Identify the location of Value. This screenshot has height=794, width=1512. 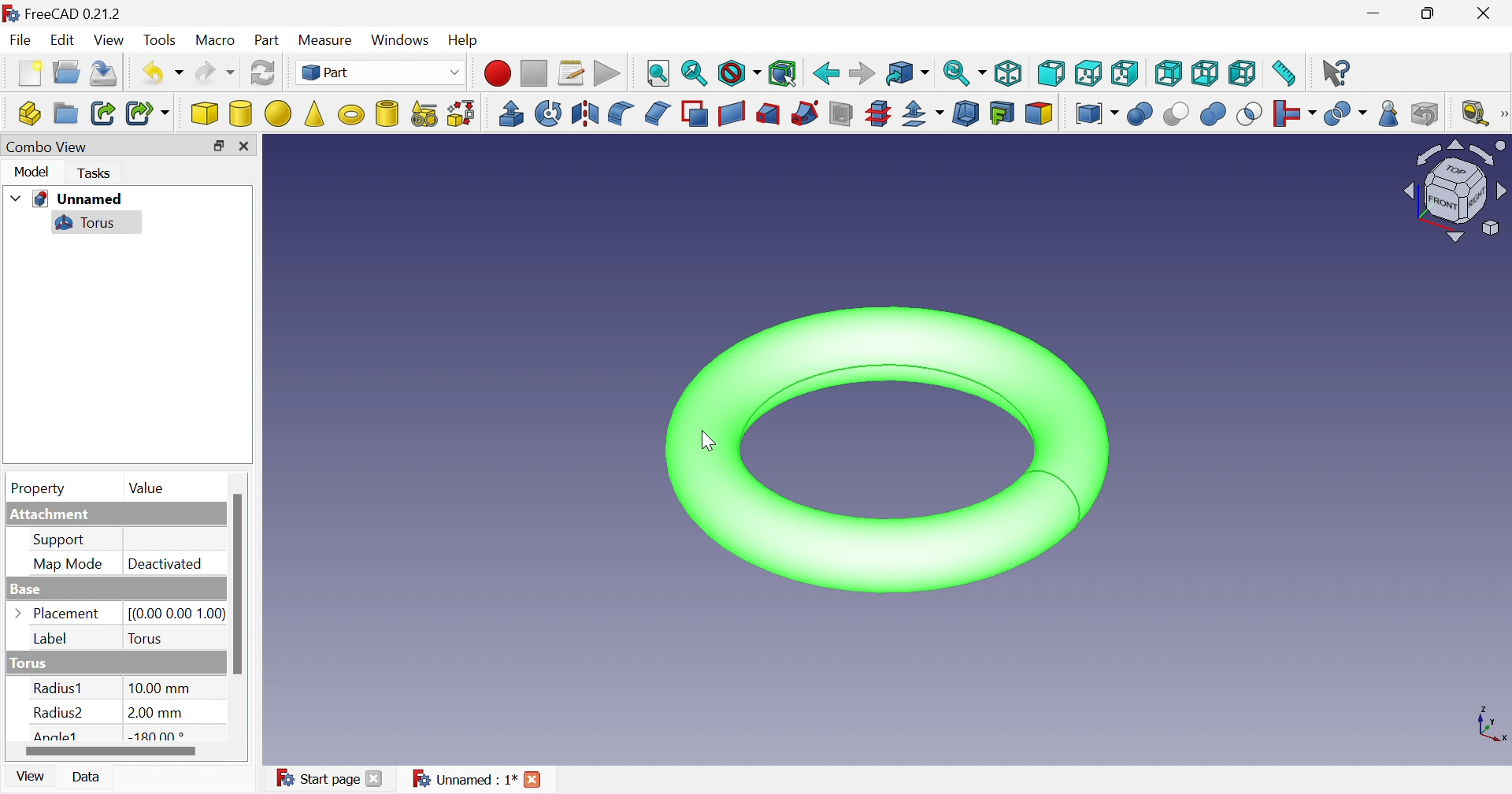
(146, 489).